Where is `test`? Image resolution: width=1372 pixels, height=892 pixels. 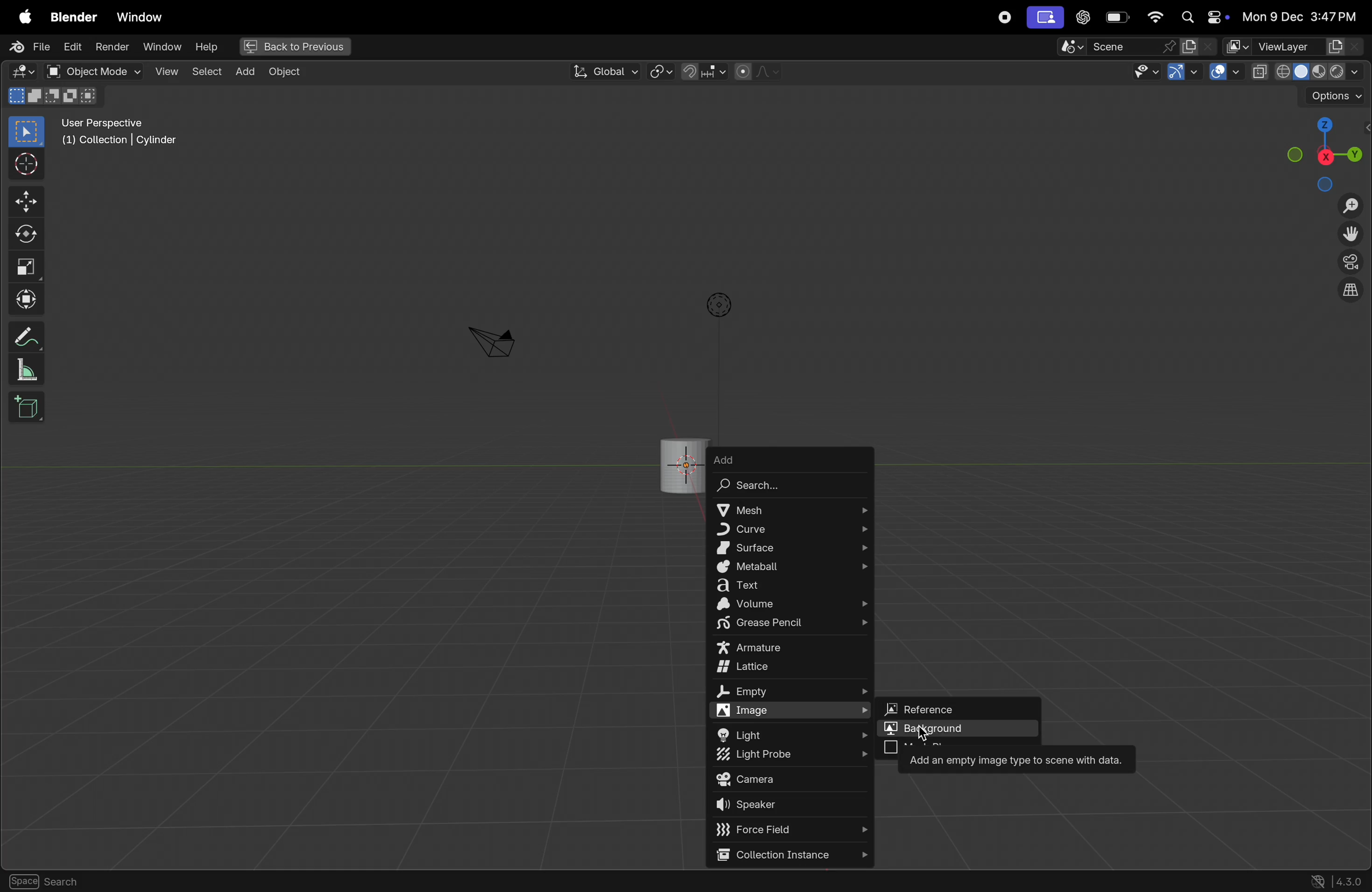 test is located at coordinates (793, 587).